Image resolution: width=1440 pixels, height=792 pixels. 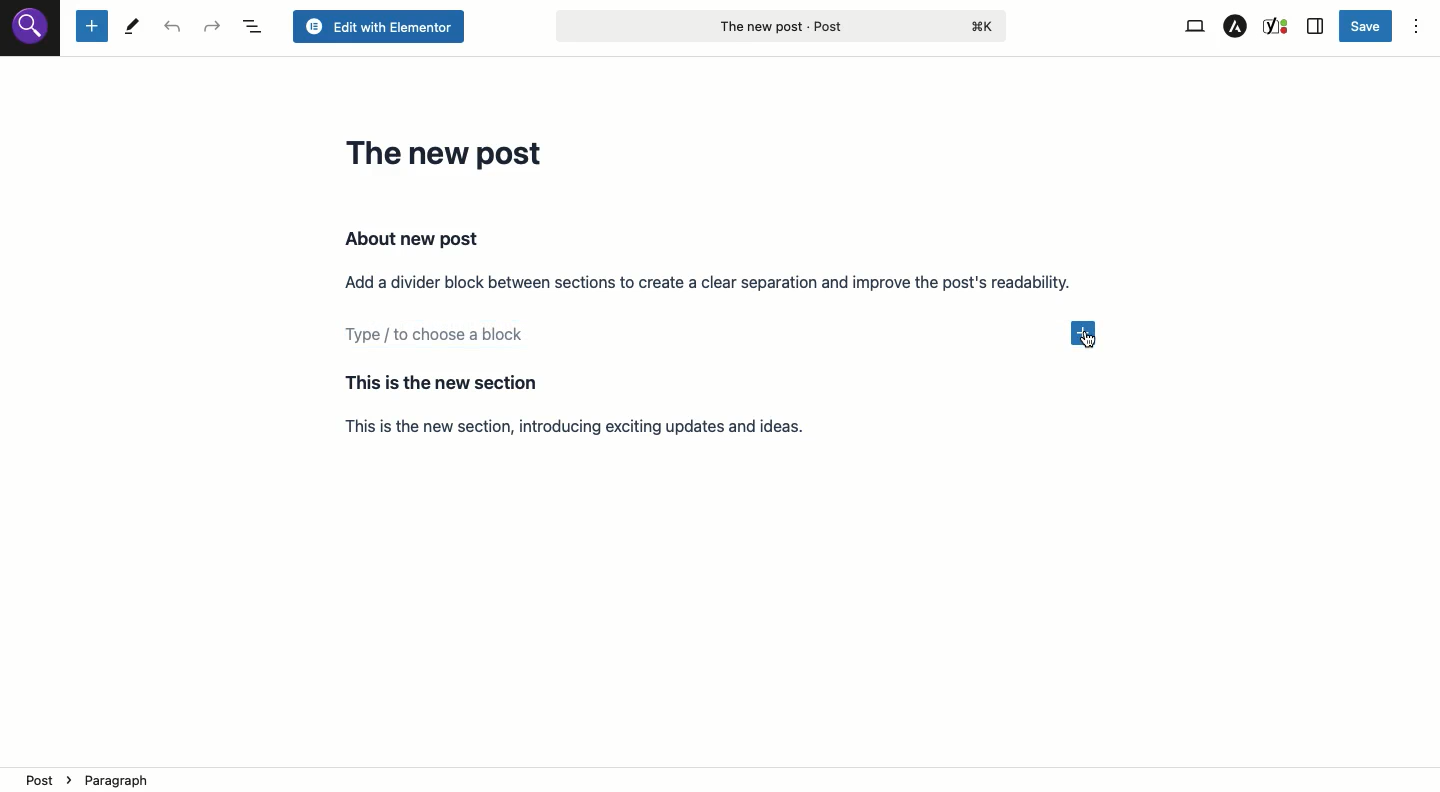 I want to click on Undo, so click(x=176, y=28).